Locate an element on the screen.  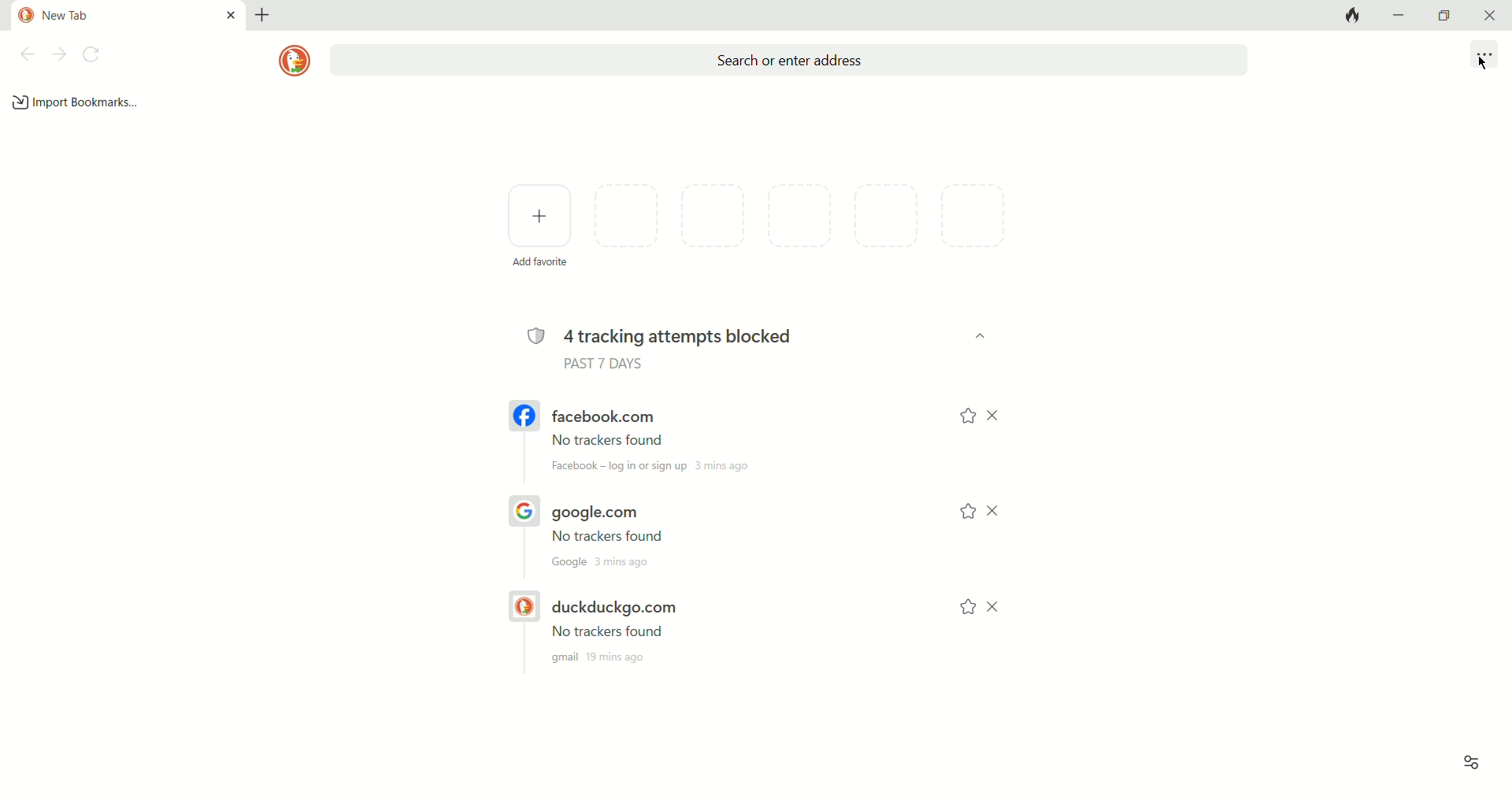
close is located at coordinates (1490, 15).